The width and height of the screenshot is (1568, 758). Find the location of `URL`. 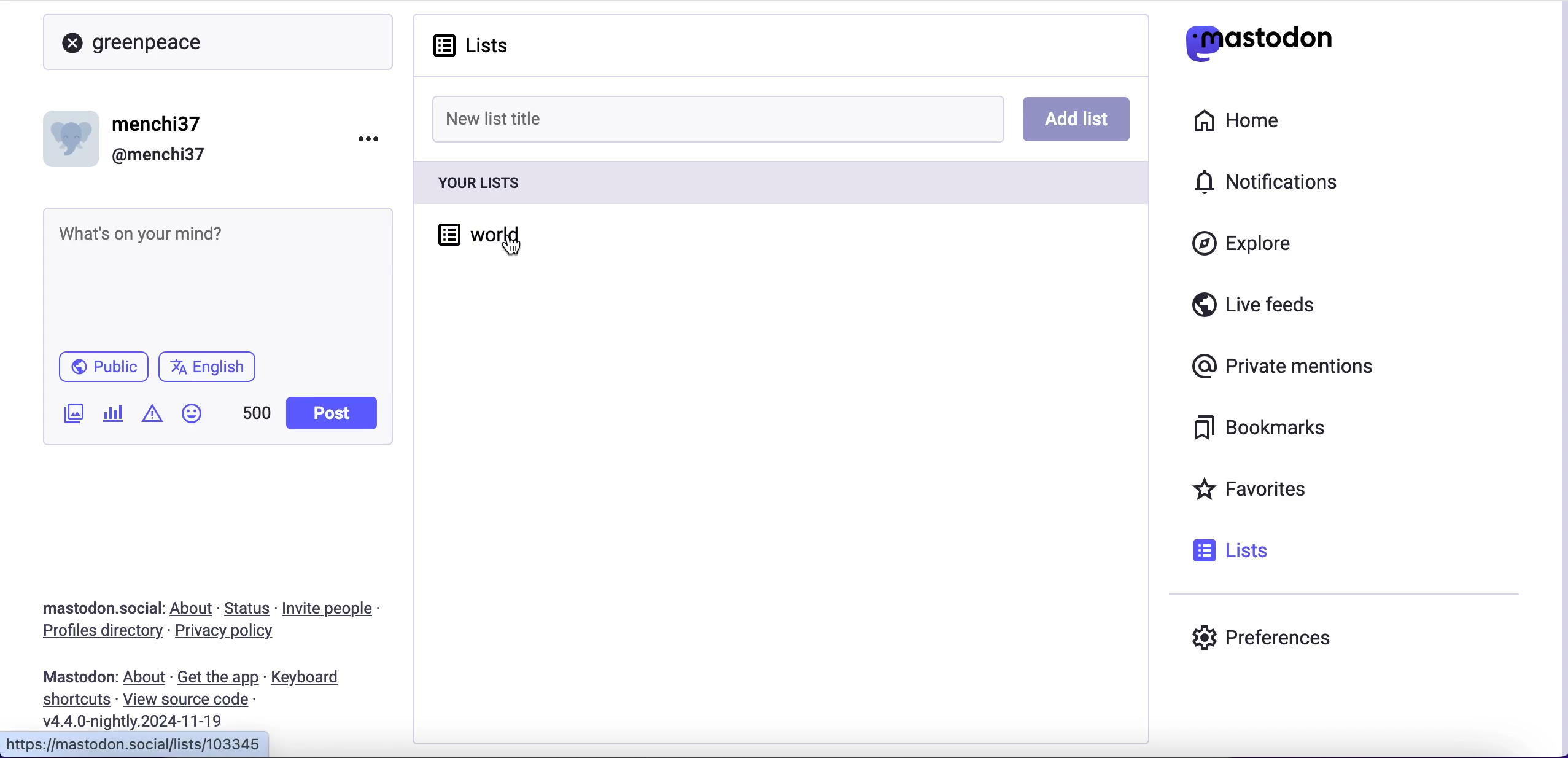

URL is located at coordinates (139, 744).